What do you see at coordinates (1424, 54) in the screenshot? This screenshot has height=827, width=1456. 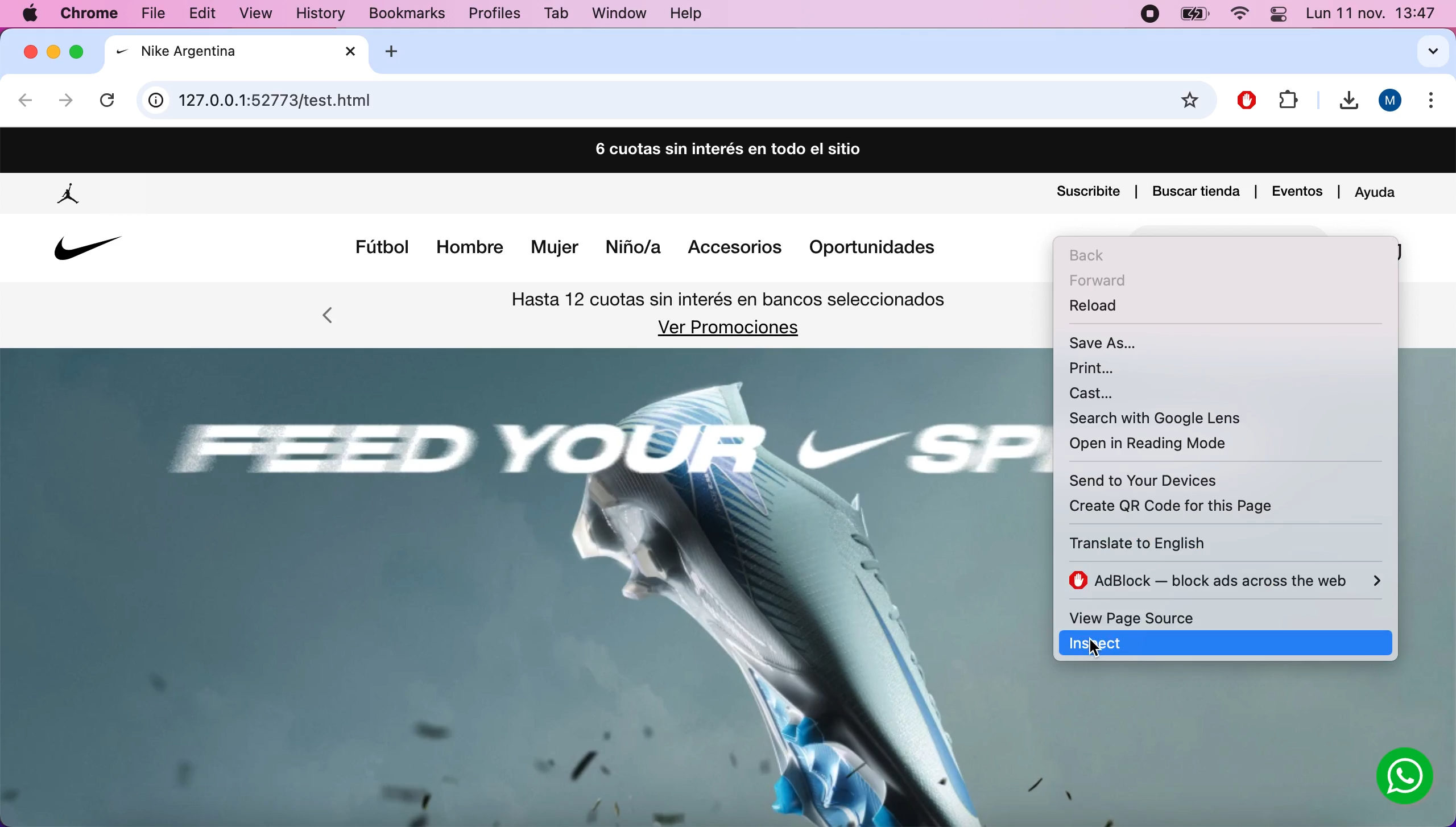 I see `search tabs` at bounding box center [1424, 54].